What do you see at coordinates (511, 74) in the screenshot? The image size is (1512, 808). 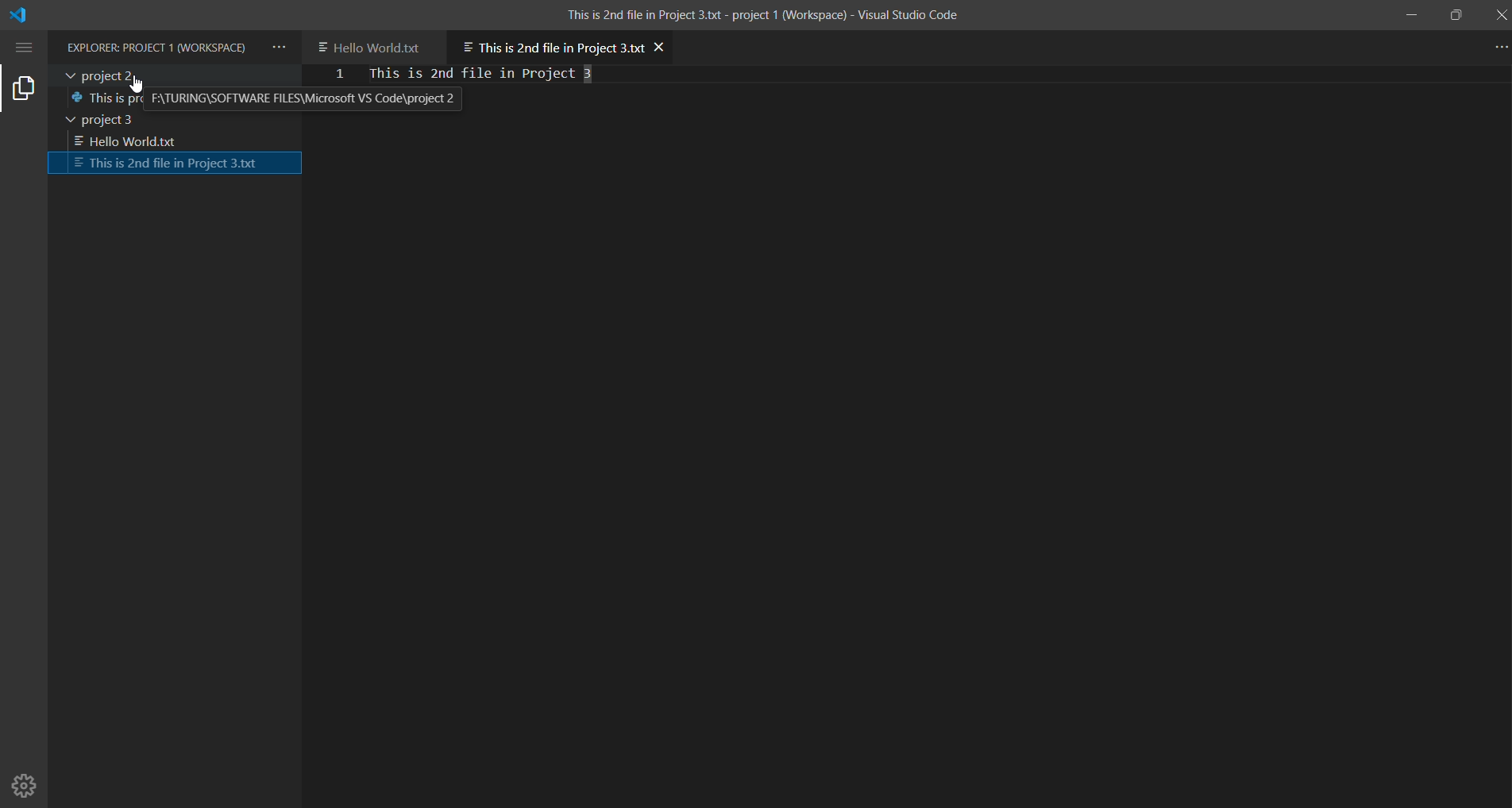 I see `file content` at bounding box center [511, 74].